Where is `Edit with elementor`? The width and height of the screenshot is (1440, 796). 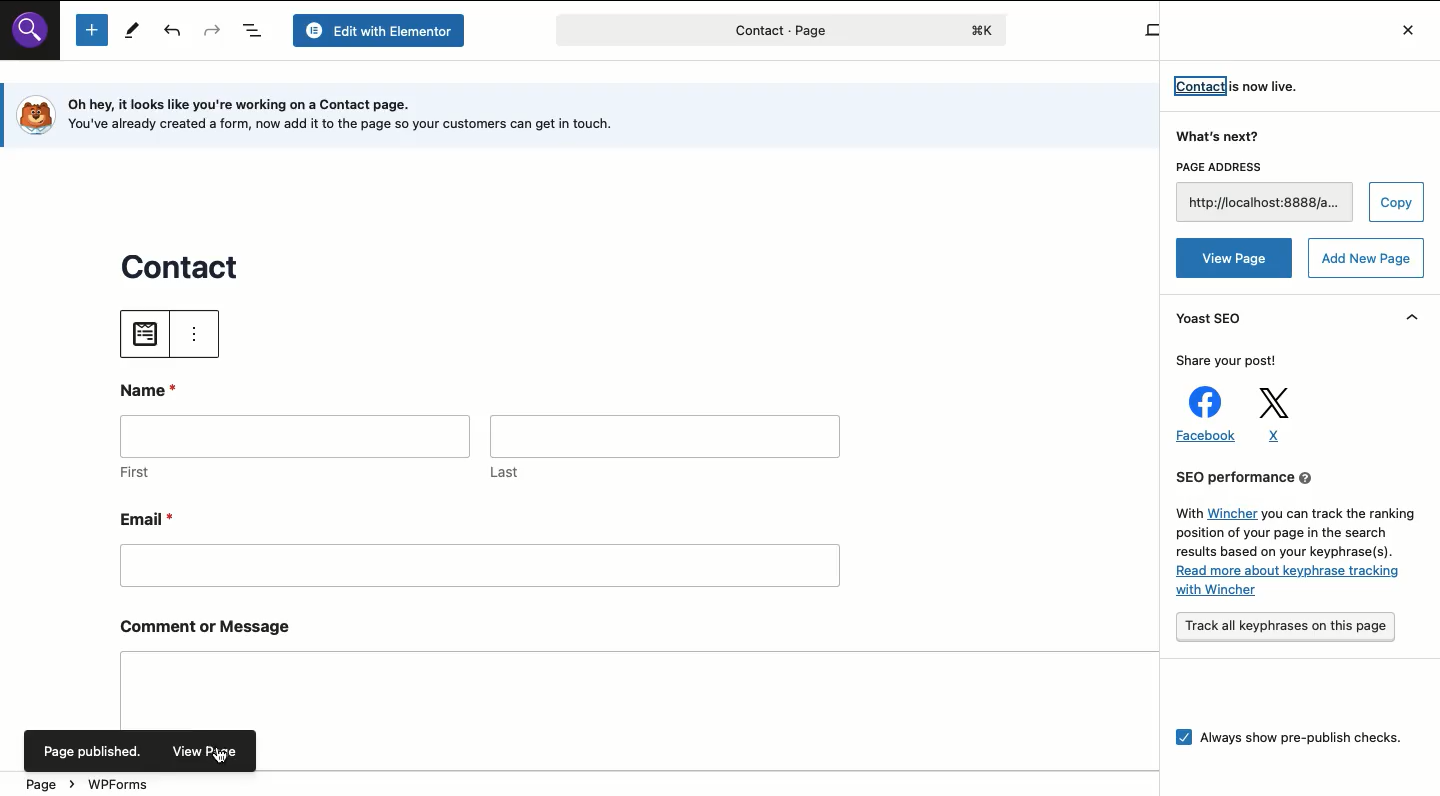
Edit with elementor is located at coordinates (382, 30).